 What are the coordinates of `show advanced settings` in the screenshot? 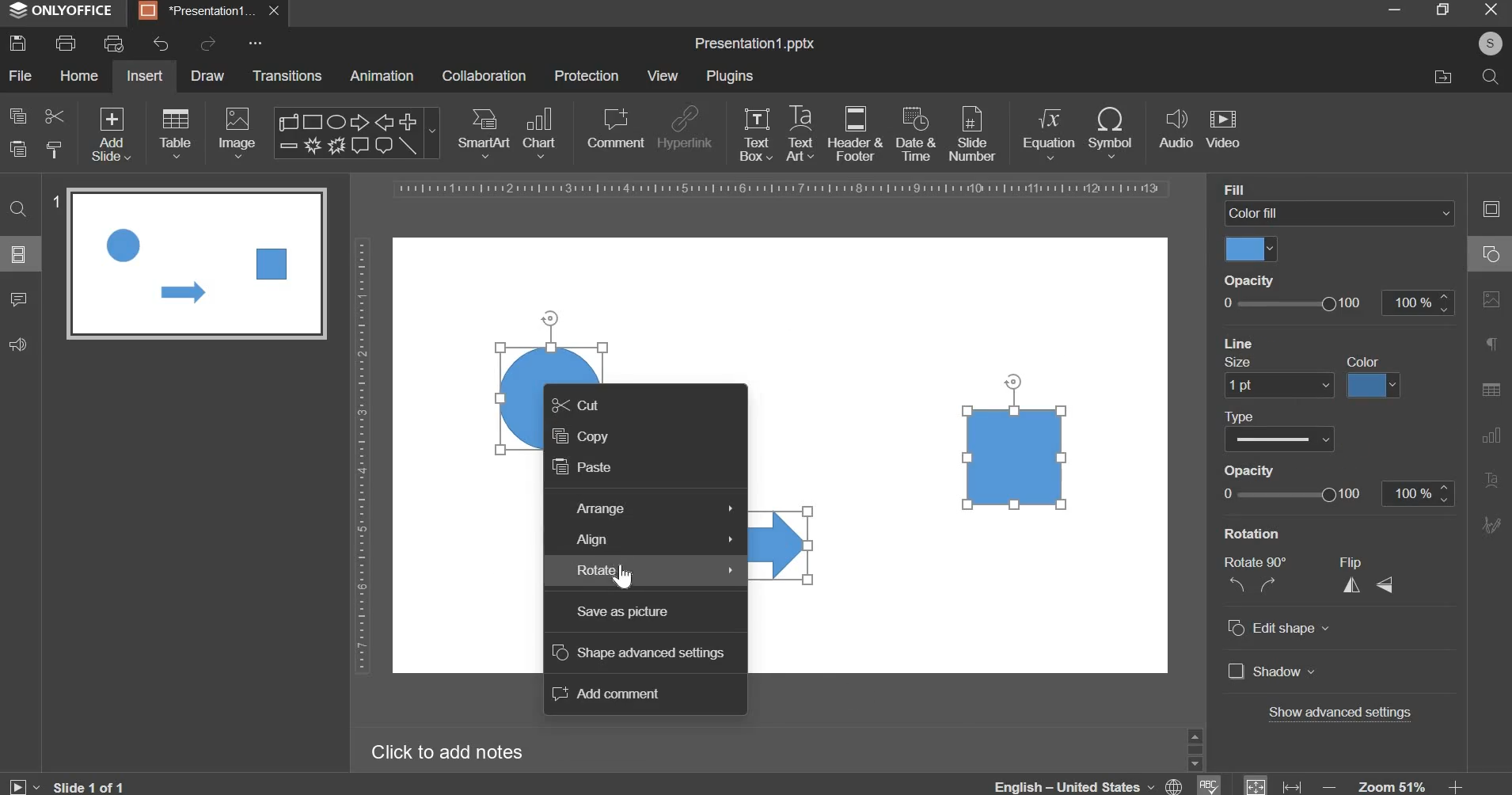 It's located at (1343, 714).